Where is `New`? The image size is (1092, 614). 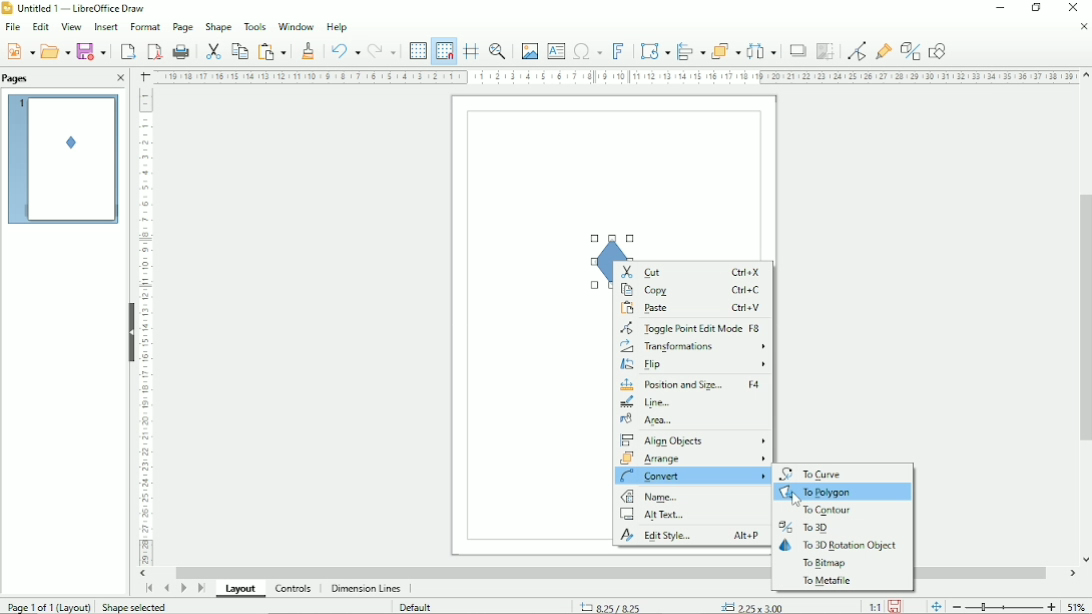
New is located at coordinates (19, 50).